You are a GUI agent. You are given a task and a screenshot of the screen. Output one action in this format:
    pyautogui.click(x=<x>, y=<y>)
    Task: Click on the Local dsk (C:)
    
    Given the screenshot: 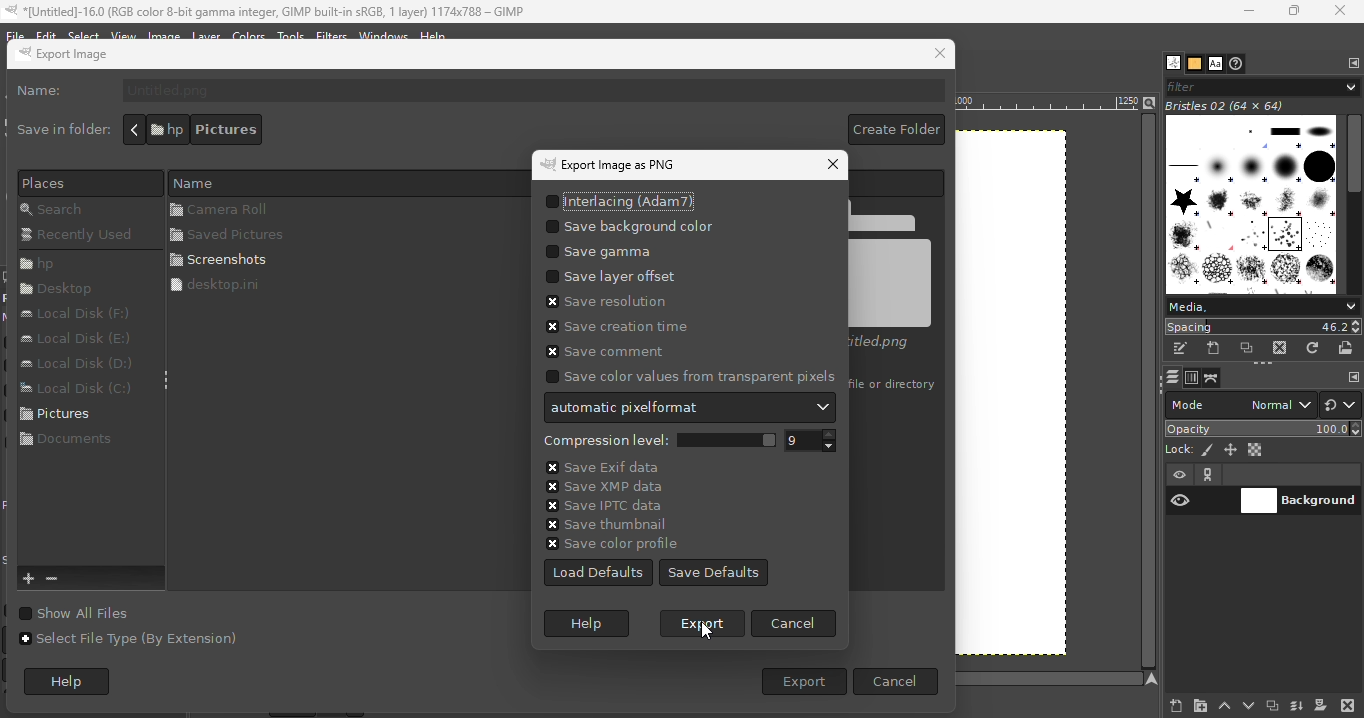 What is the action you would take?
    pyautogui.click(x=75, y=390)
    